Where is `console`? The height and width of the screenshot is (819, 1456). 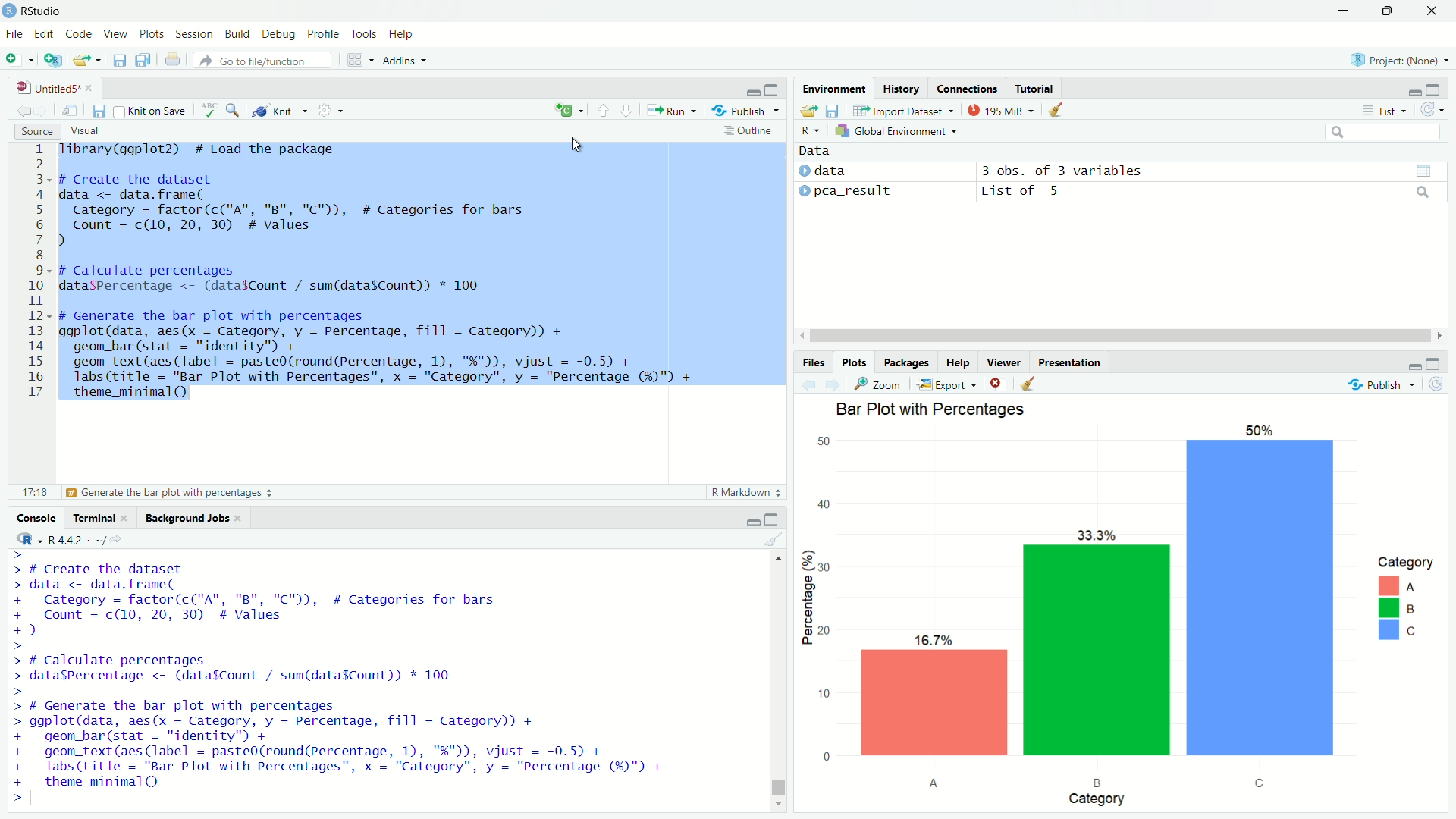 console is located at coordinates (35, 517).